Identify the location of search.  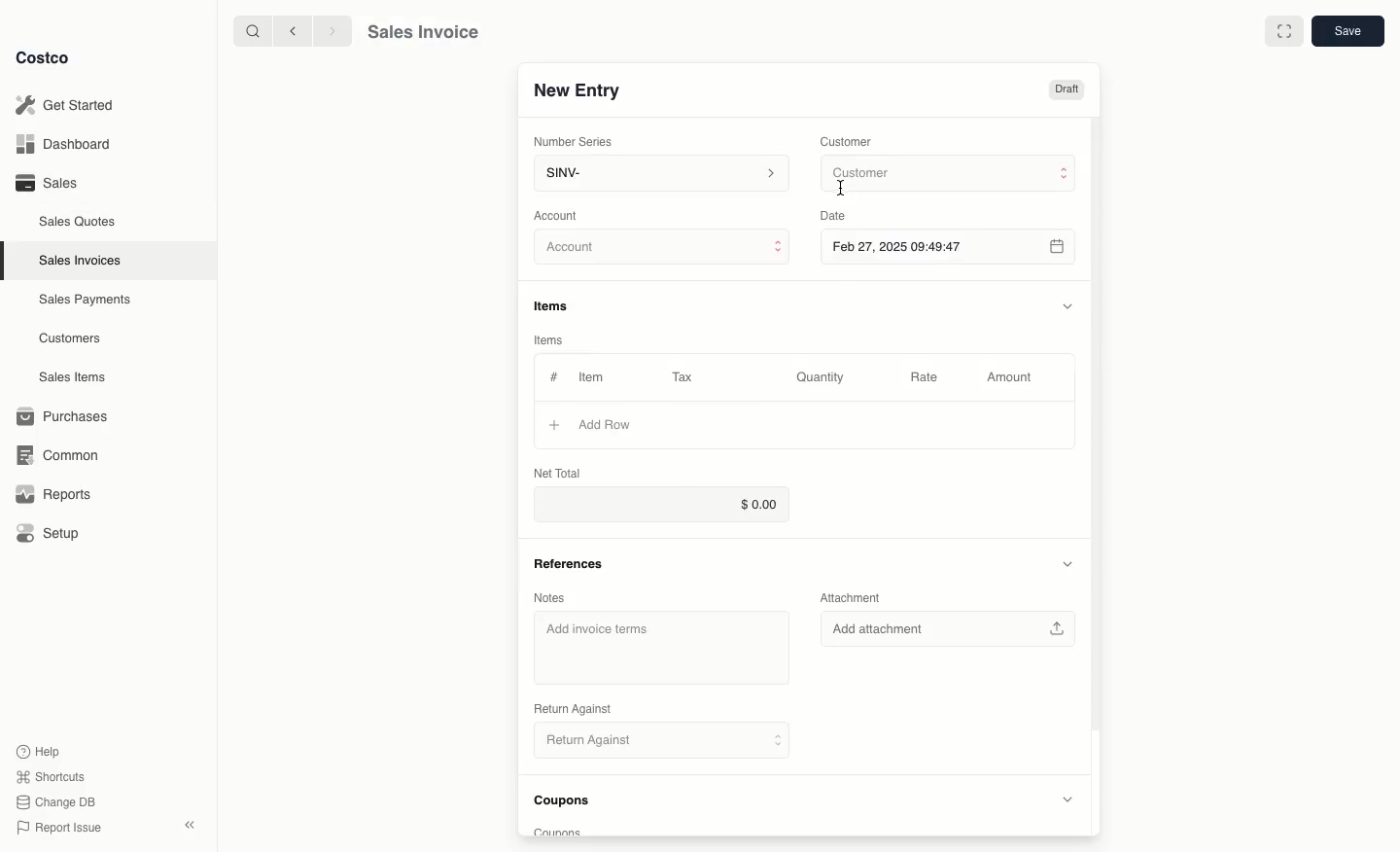
(249, 30).